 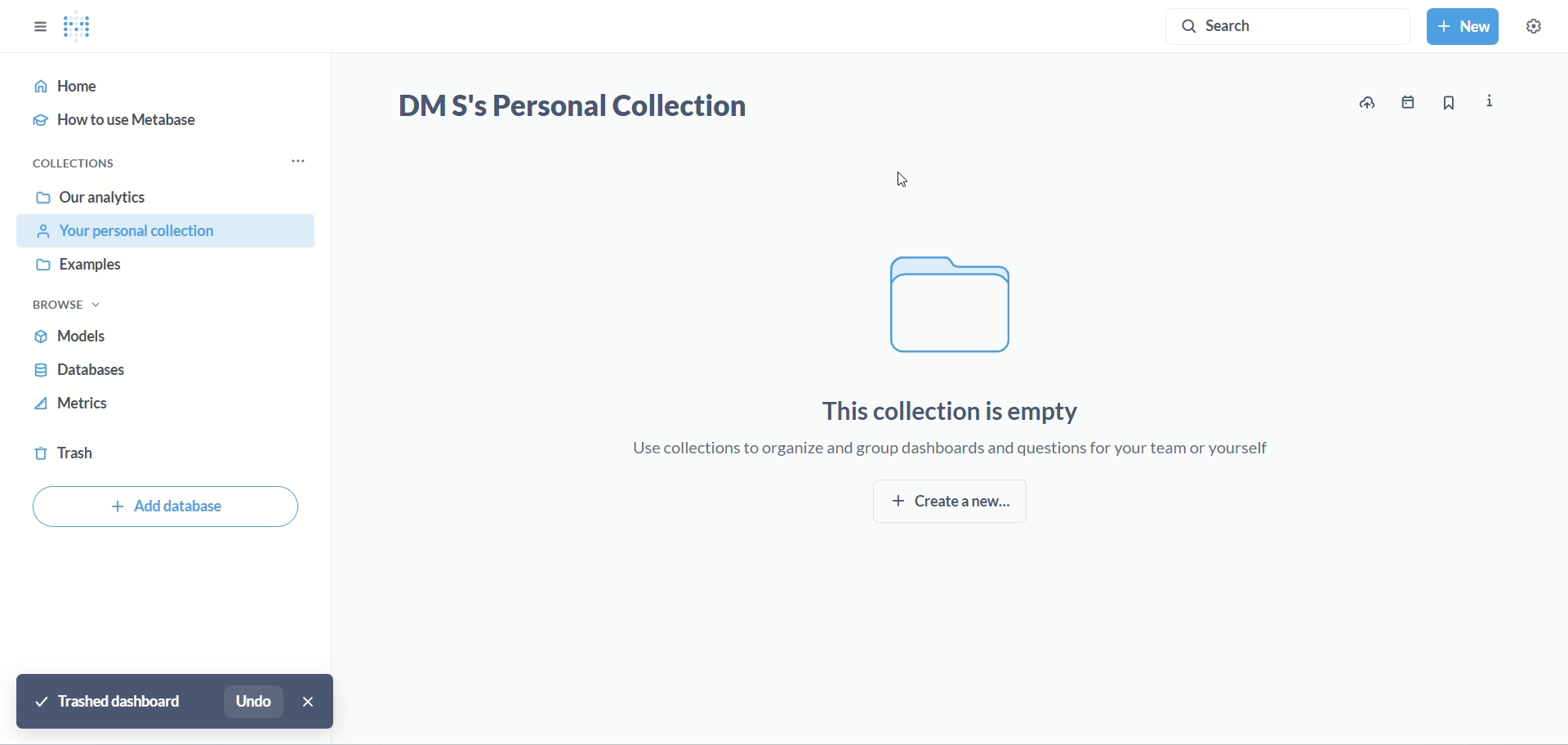 I want to click on collections, so click(x=79, y=163).